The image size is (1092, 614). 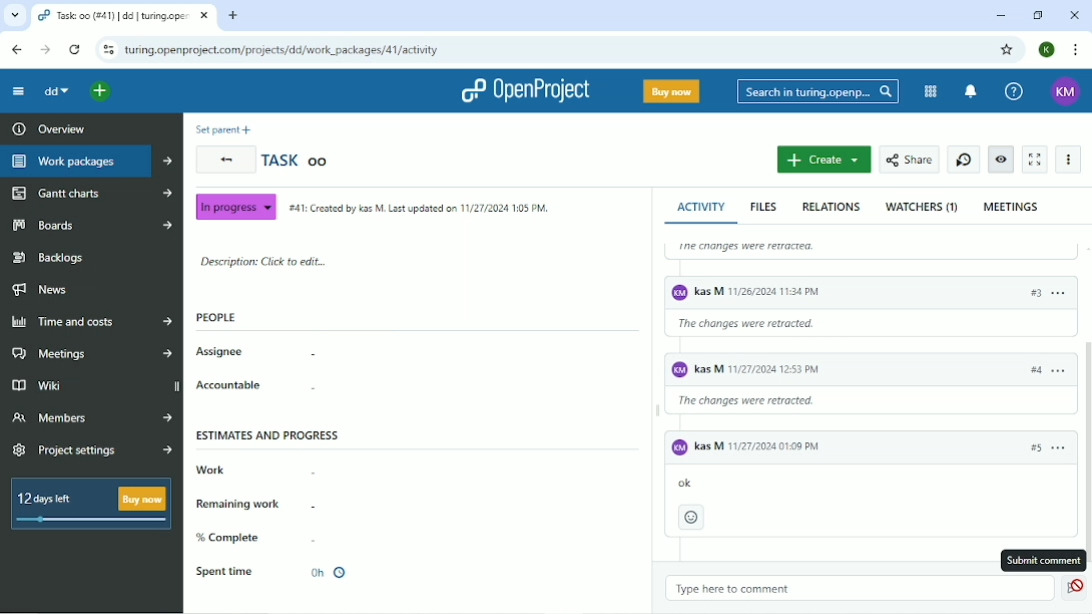 I want to click on News, so click(x=40, y=290).